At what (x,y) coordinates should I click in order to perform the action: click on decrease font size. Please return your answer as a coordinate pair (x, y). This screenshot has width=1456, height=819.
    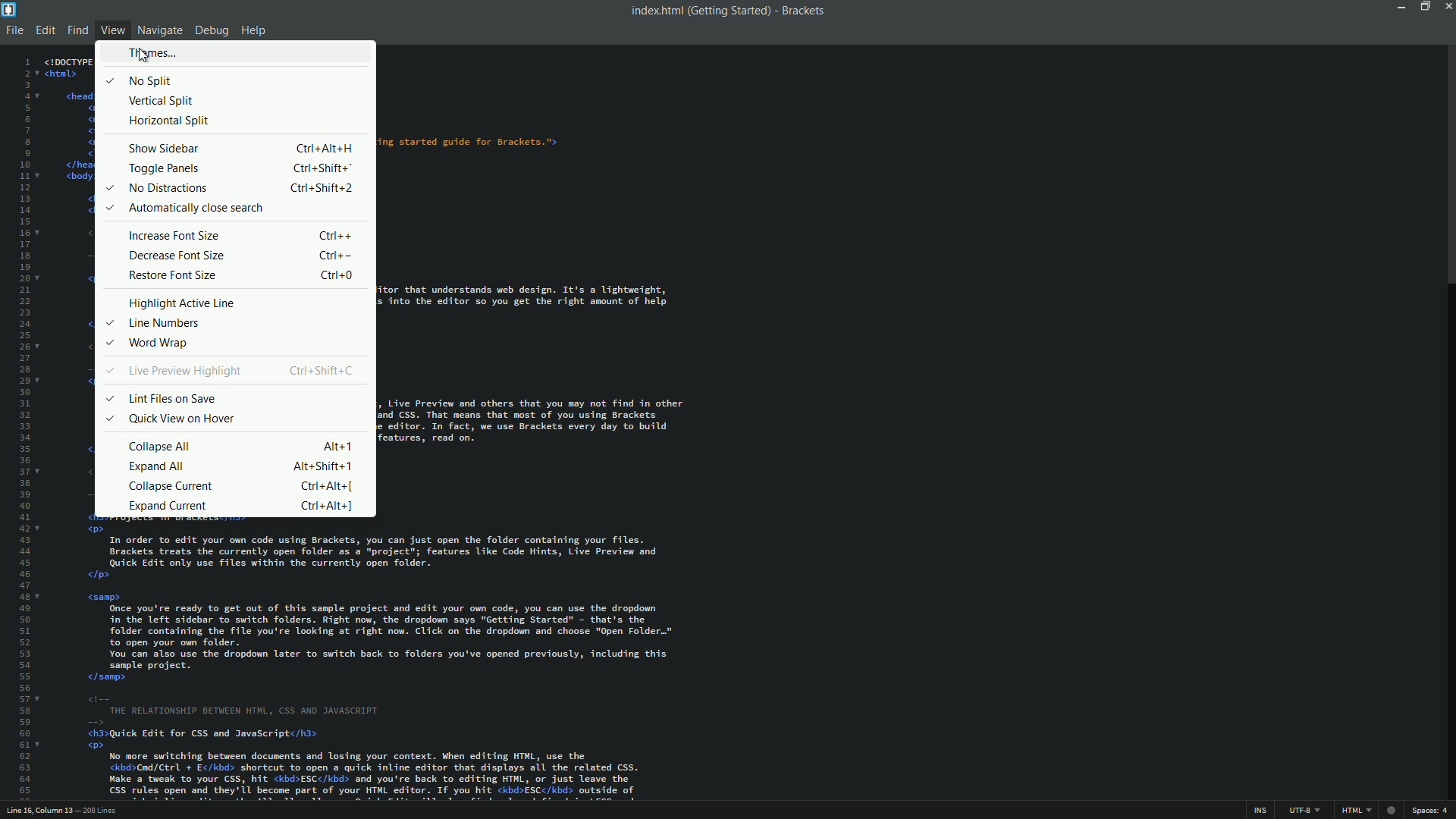
    Looking at the image, I should click on (177, 256).